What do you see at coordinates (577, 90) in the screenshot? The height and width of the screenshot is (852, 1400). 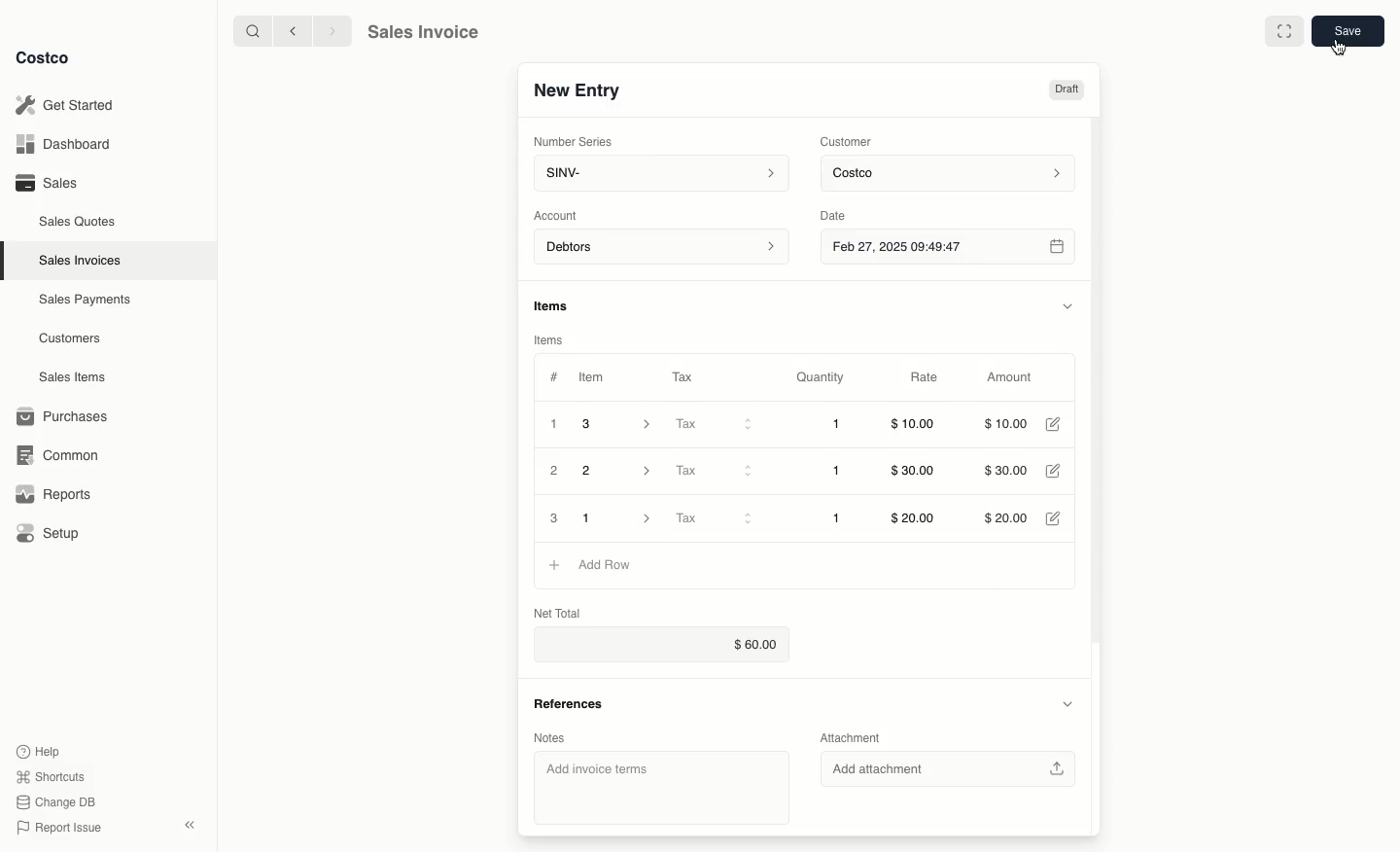 I see `New Entry` at bounding box center [577, 90].